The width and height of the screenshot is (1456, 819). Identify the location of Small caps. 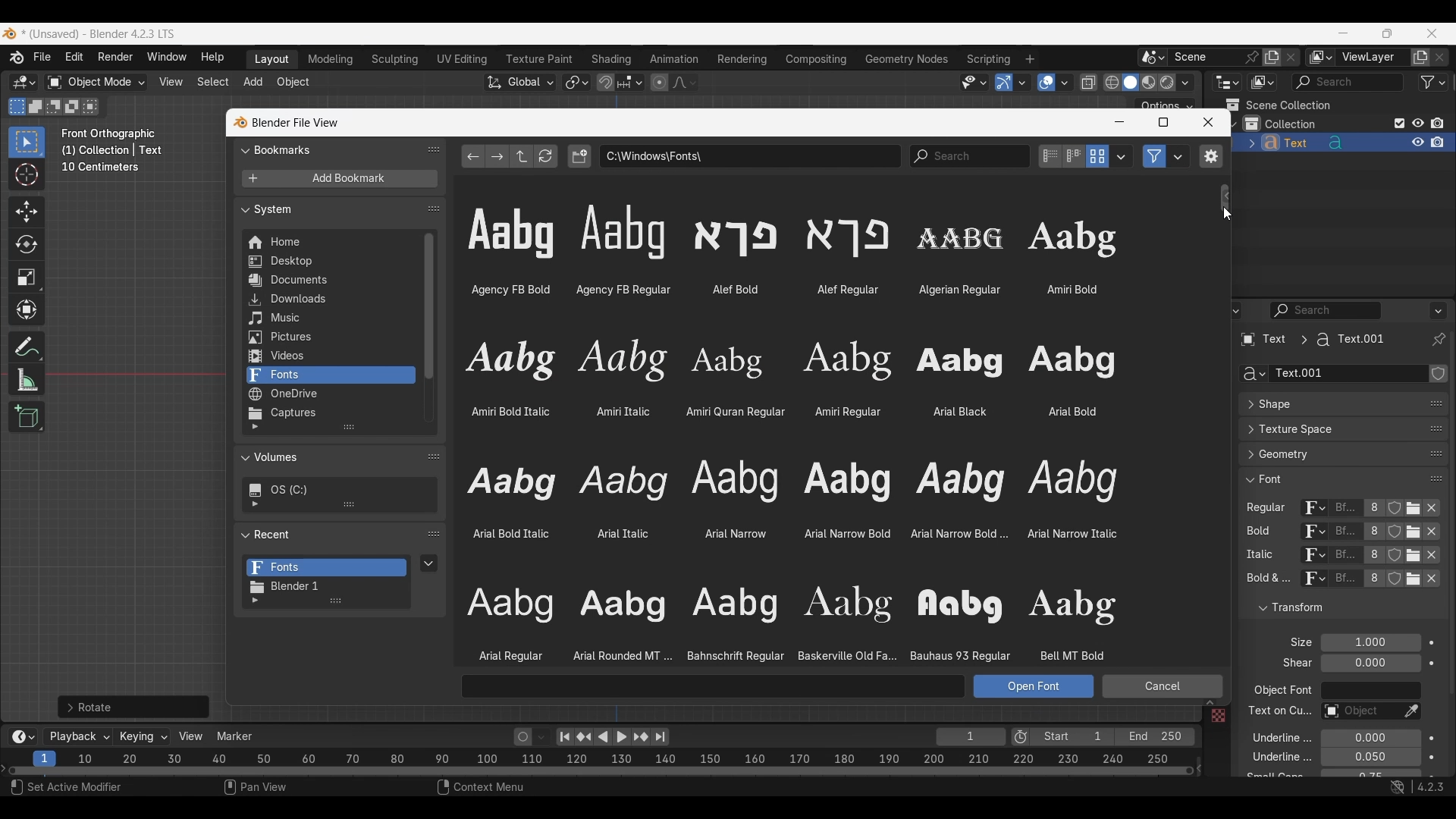
(1370, 773).